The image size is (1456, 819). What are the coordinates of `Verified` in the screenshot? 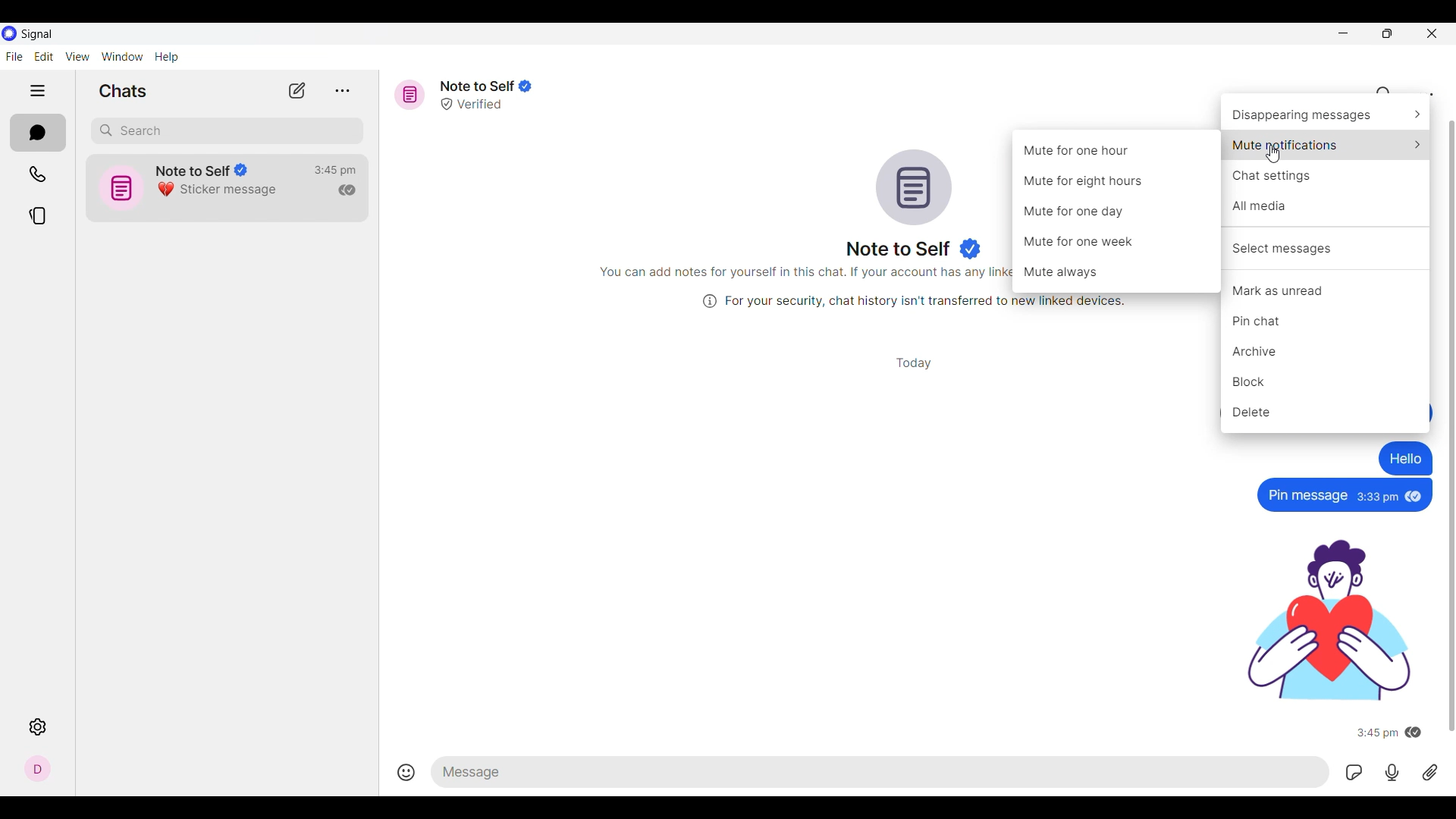 It's located at (478, 105).